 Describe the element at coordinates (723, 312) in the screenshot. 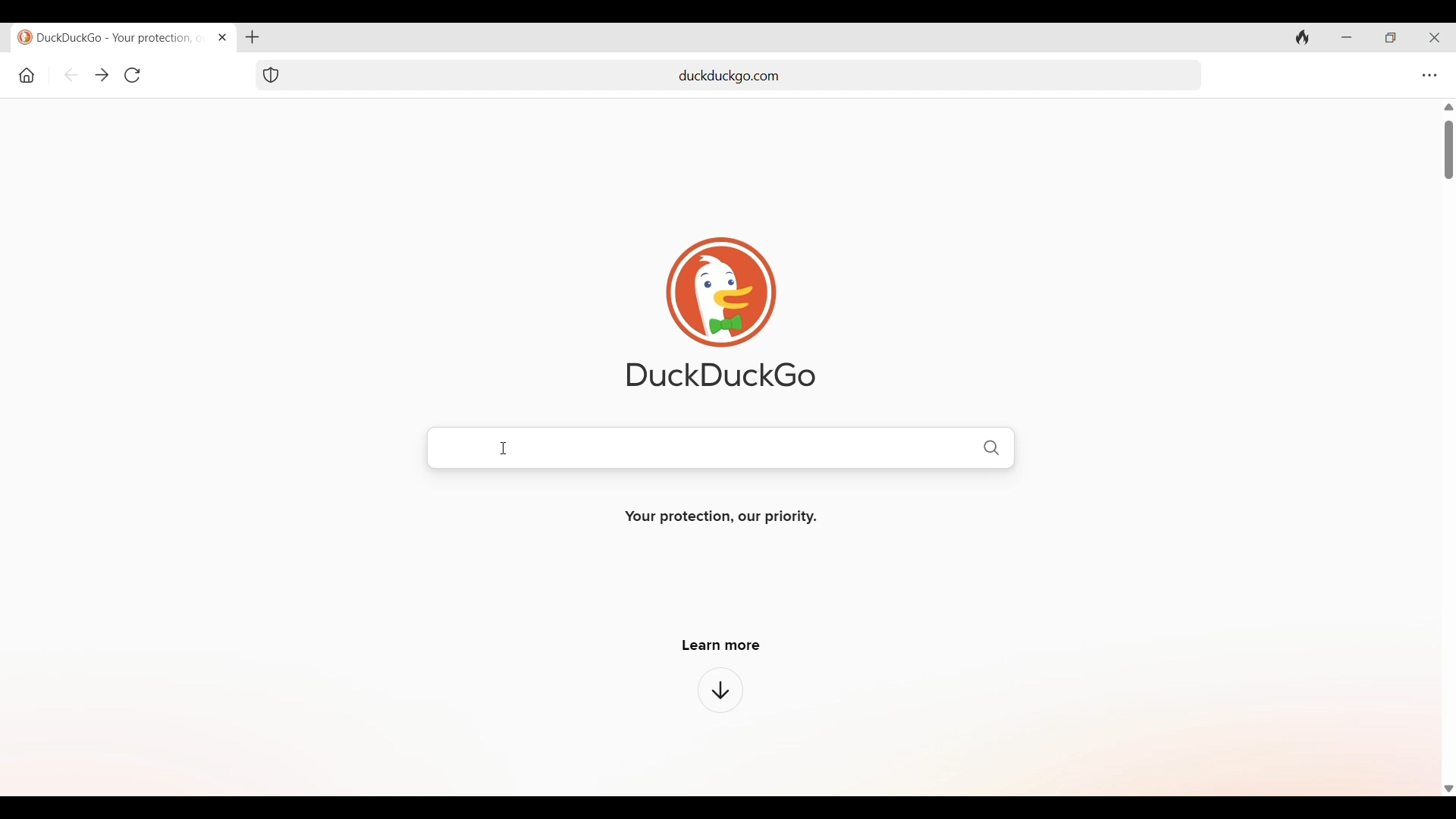

I see `Software logo and name` at that location.